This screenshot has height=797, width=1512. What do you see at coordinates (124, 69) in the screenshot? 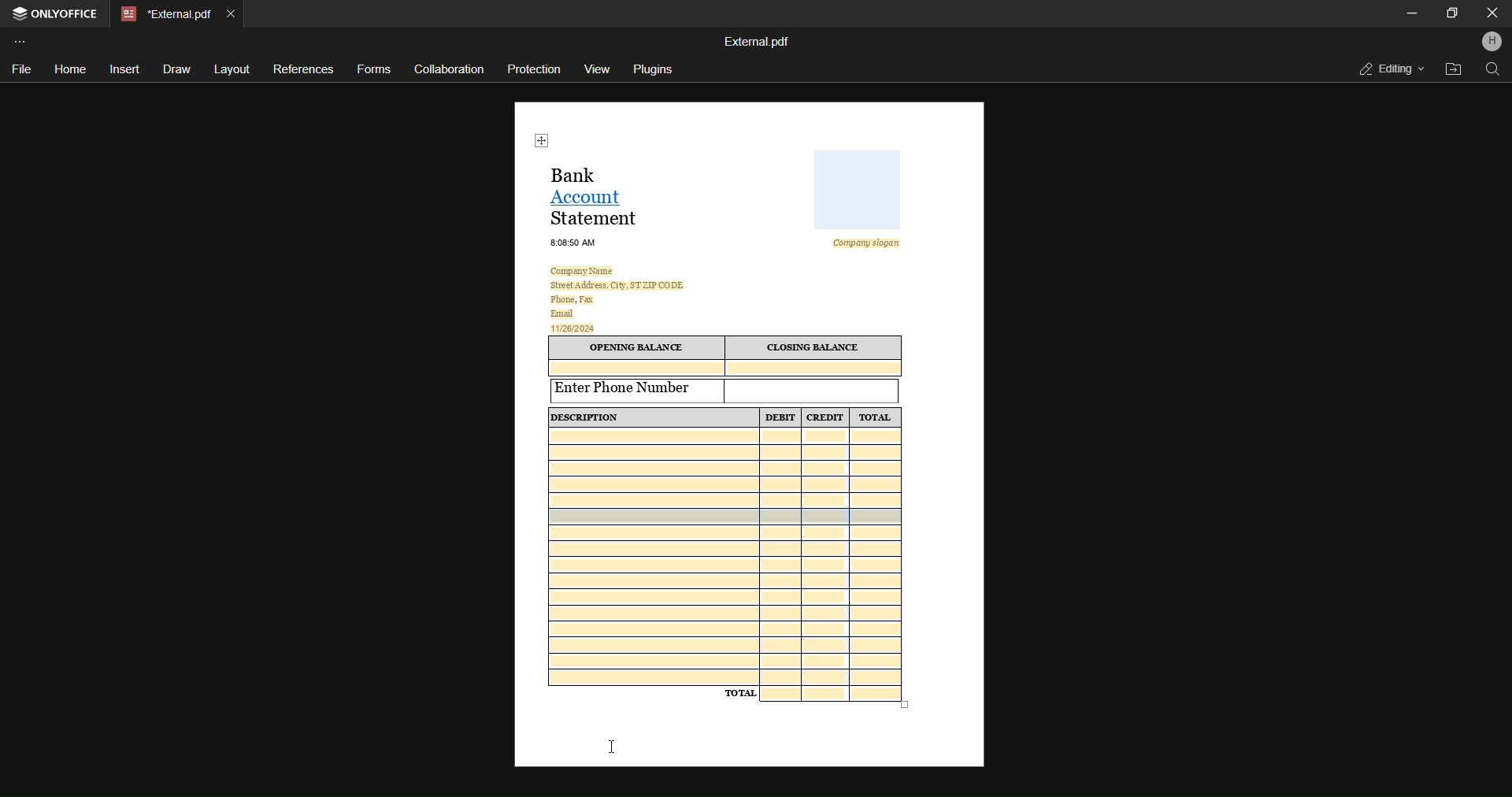
I see `insert` at bounding box center [124, 69].